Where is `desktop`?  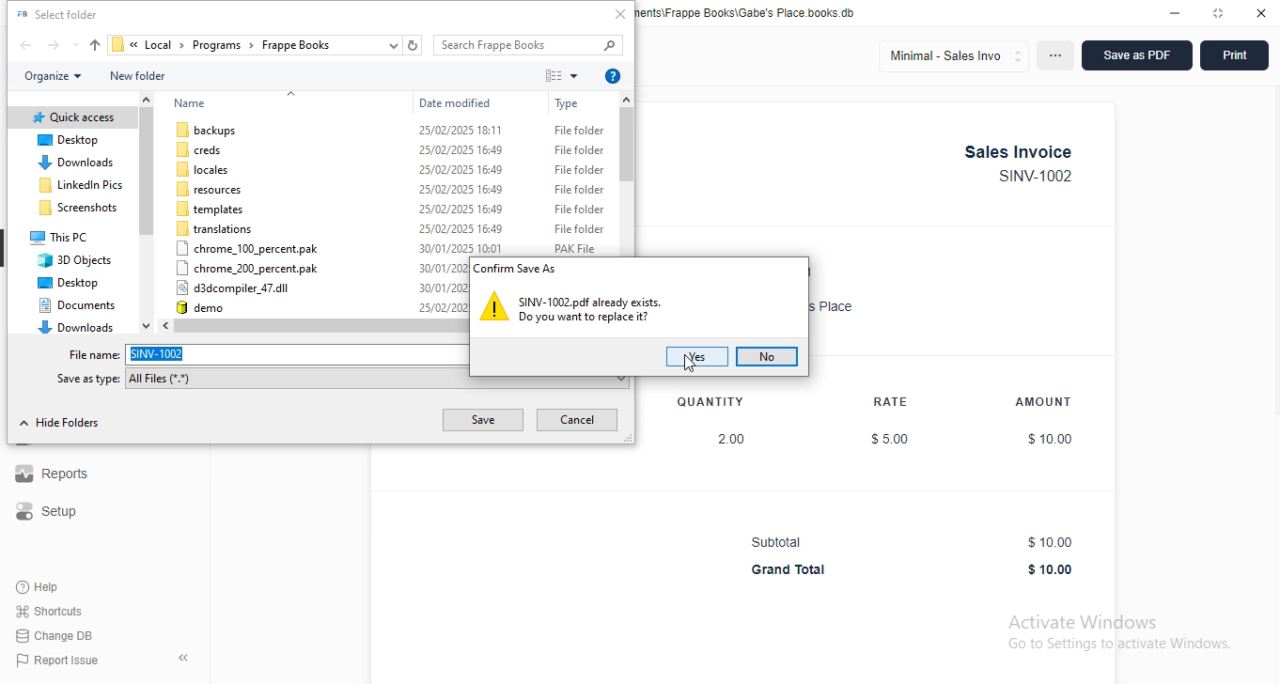 desktop is located at coordinates (70, 140).